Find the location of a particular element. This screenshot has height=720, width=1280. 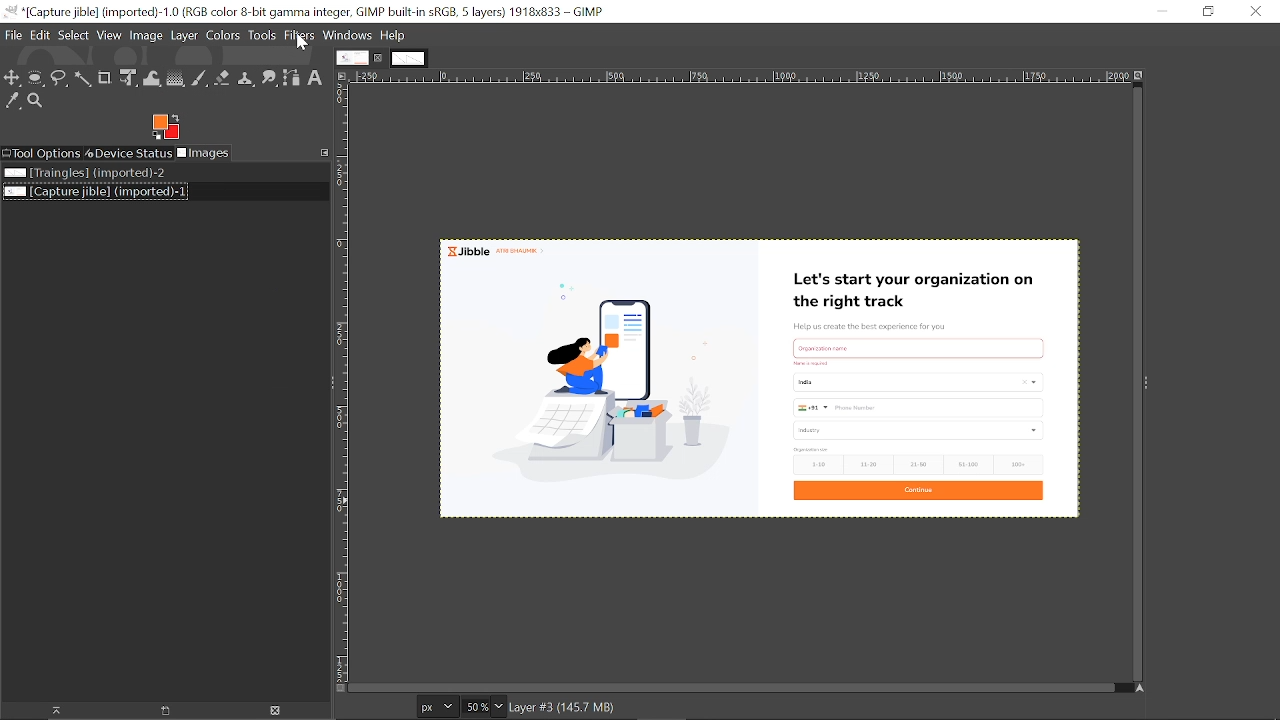

Tool options is located at coordinates (41, 153).